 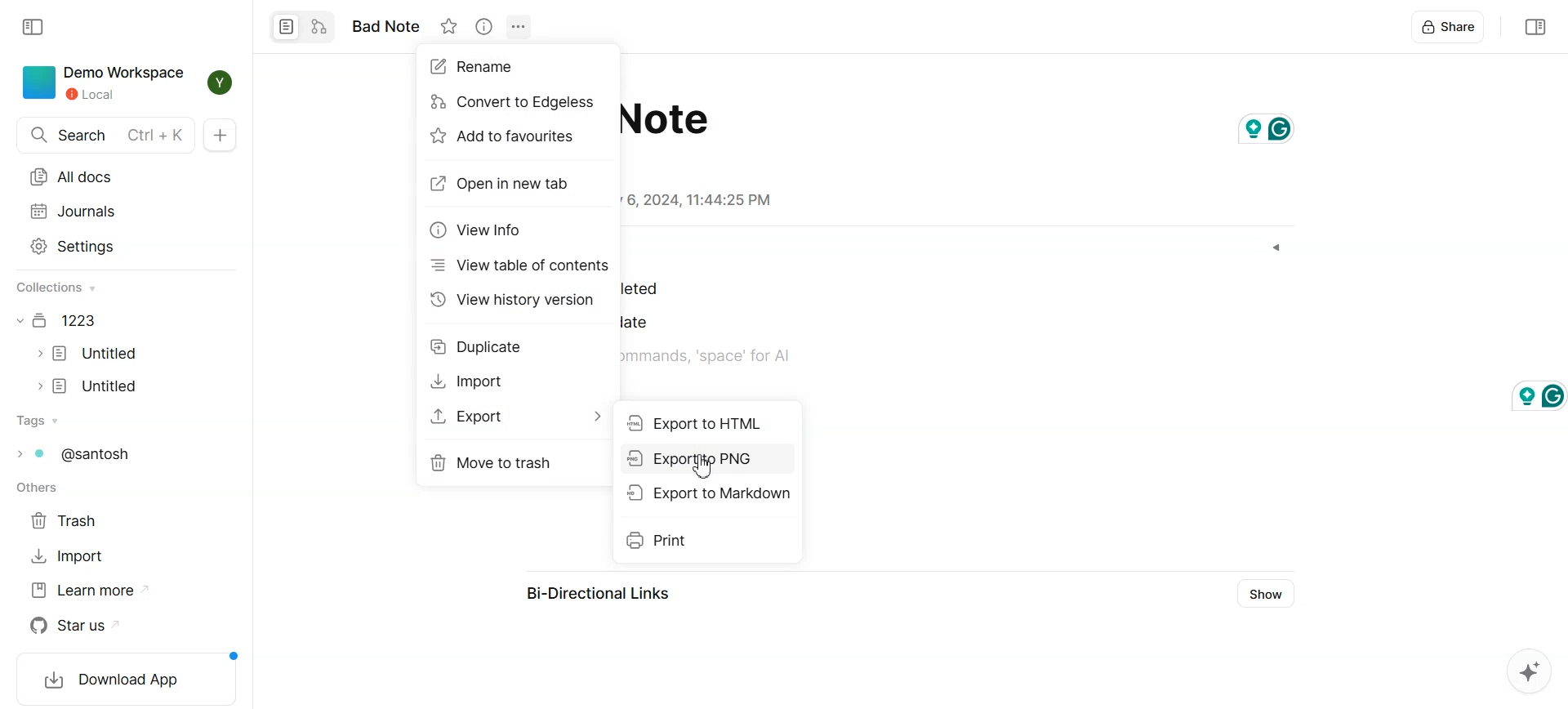 I want to click on Cursor, so click(x=704, y=466).